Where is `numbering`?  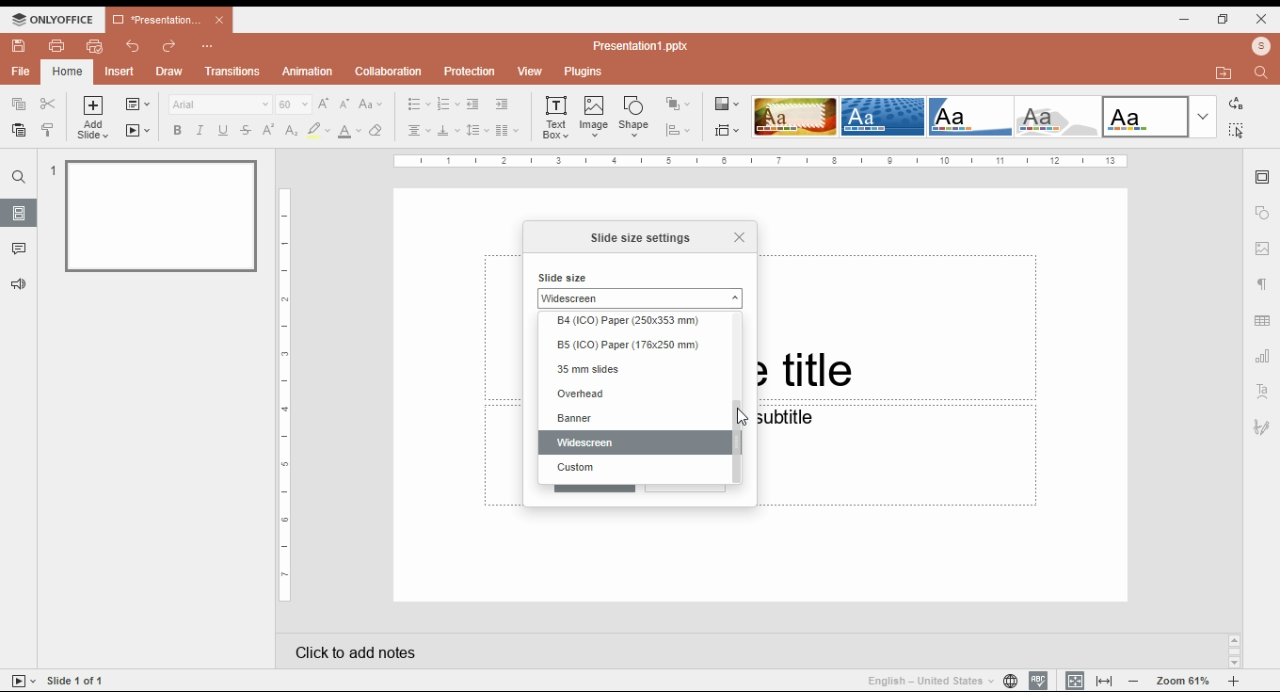 numbering is located at coordinates (448, 105).